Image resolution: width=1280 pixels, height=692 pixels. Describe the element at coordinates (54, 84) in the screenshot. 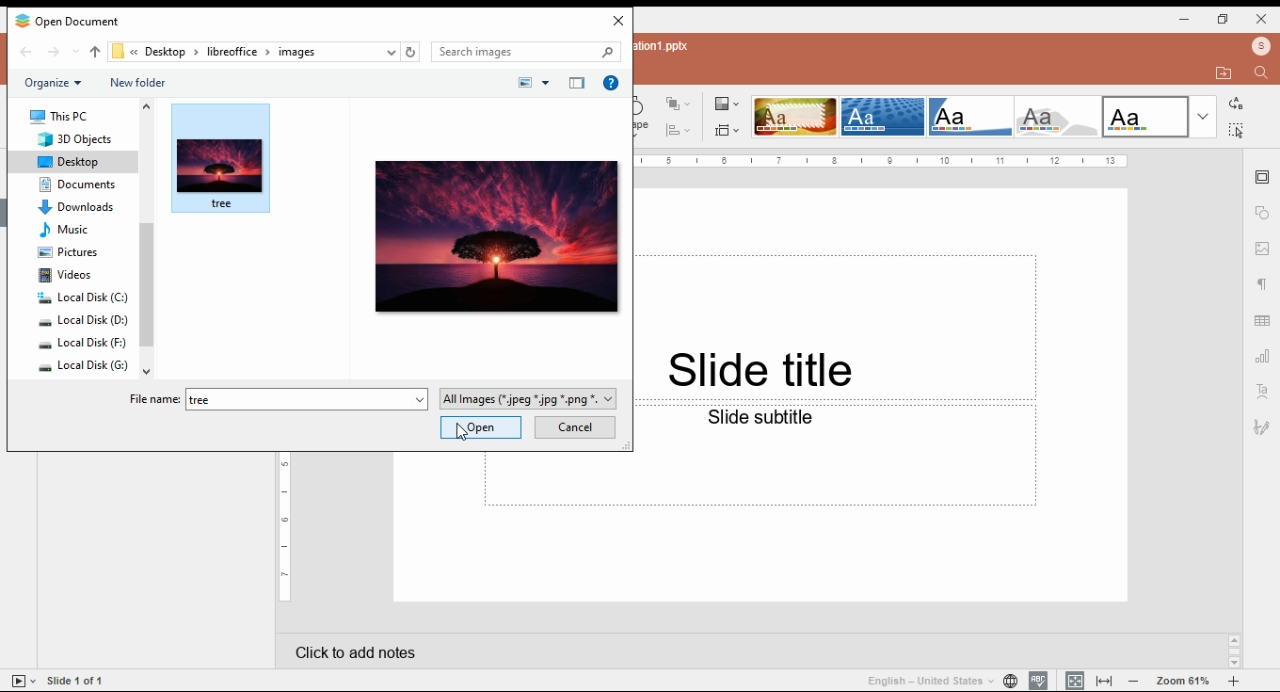

I see `organize` at that location.